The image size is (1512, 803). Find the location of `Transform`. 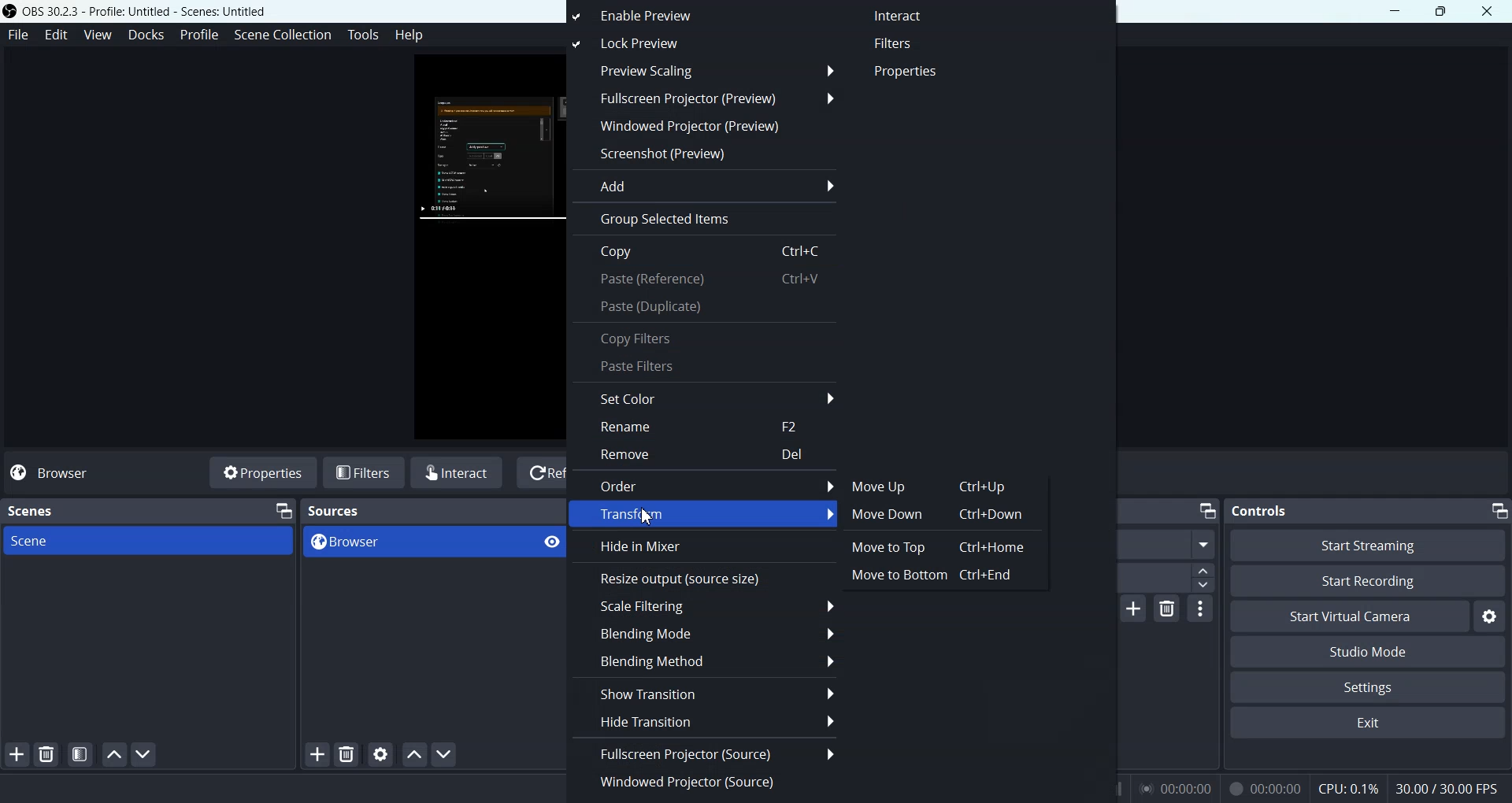

Transform is located at coordinates (703, 515).